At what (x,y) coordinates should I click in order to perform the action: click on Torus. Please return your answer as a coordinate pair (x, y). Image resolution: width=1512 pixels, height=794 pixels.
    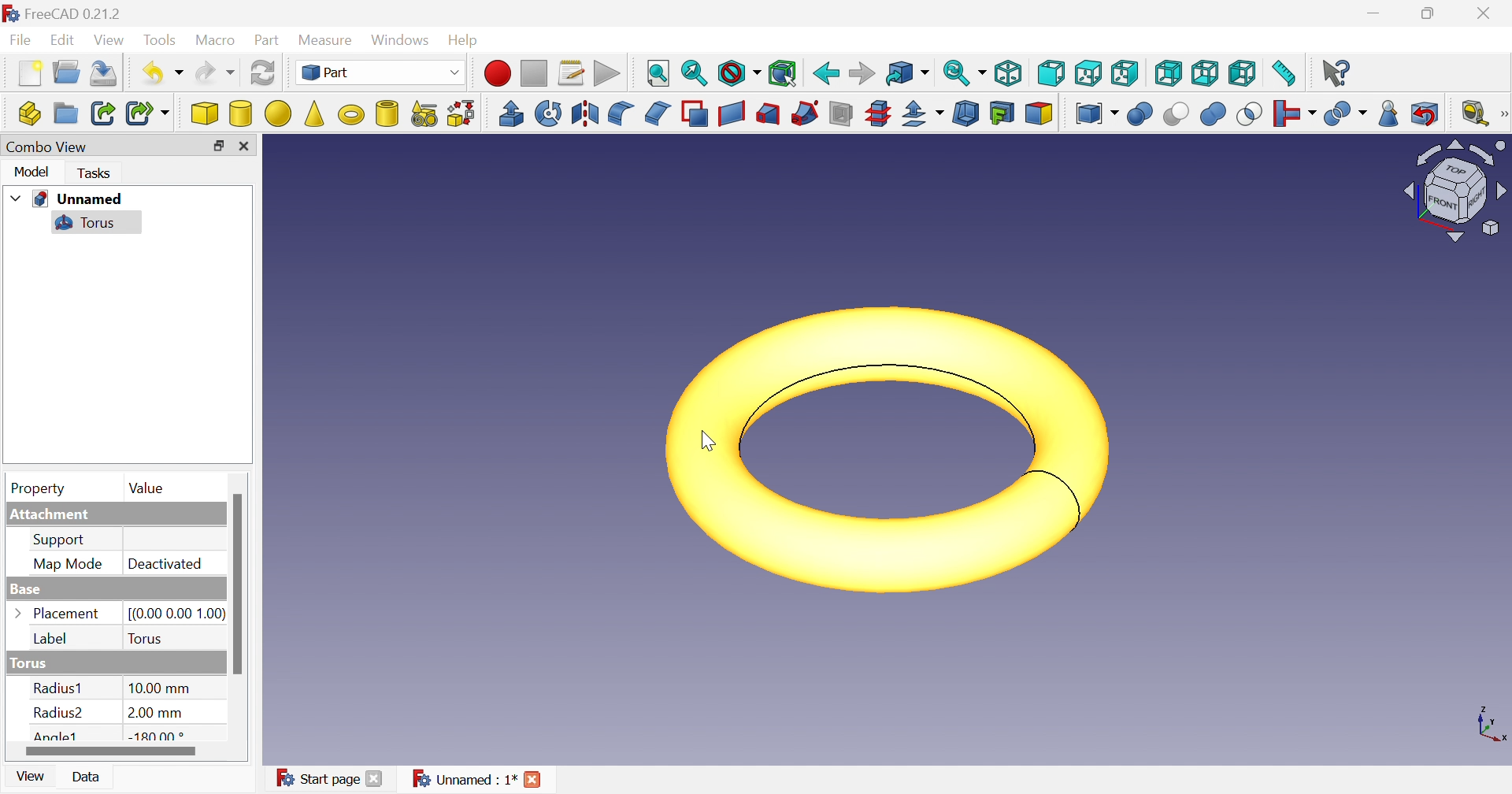
    Looking at the image, I should click on (27, 663).